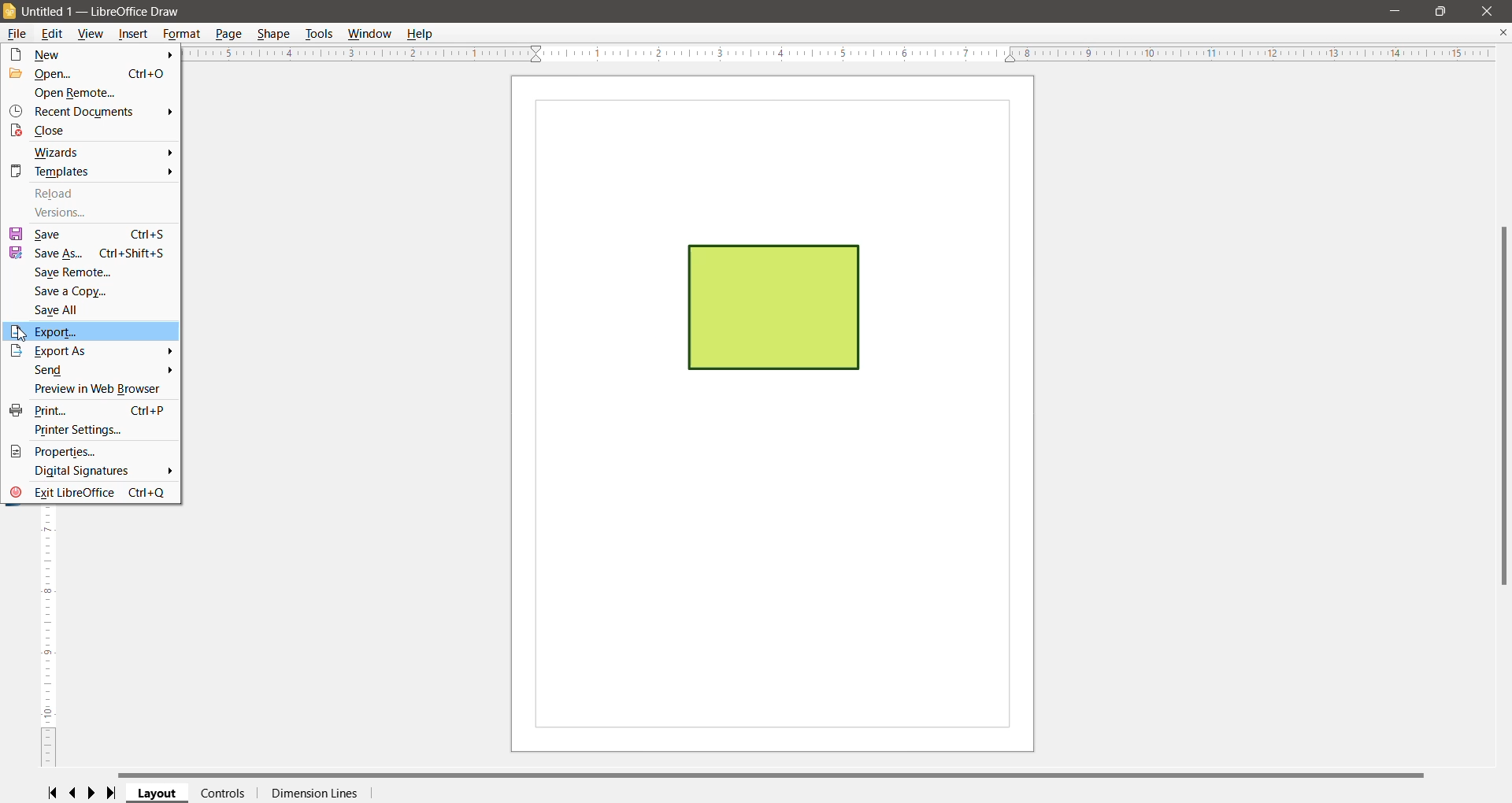 Image resolution: width=1512 pixels, height=803 pixels. What do you see at coordinates (134, 34) in the screenshot?
I see `Insert` at bounding box center [134, 34].